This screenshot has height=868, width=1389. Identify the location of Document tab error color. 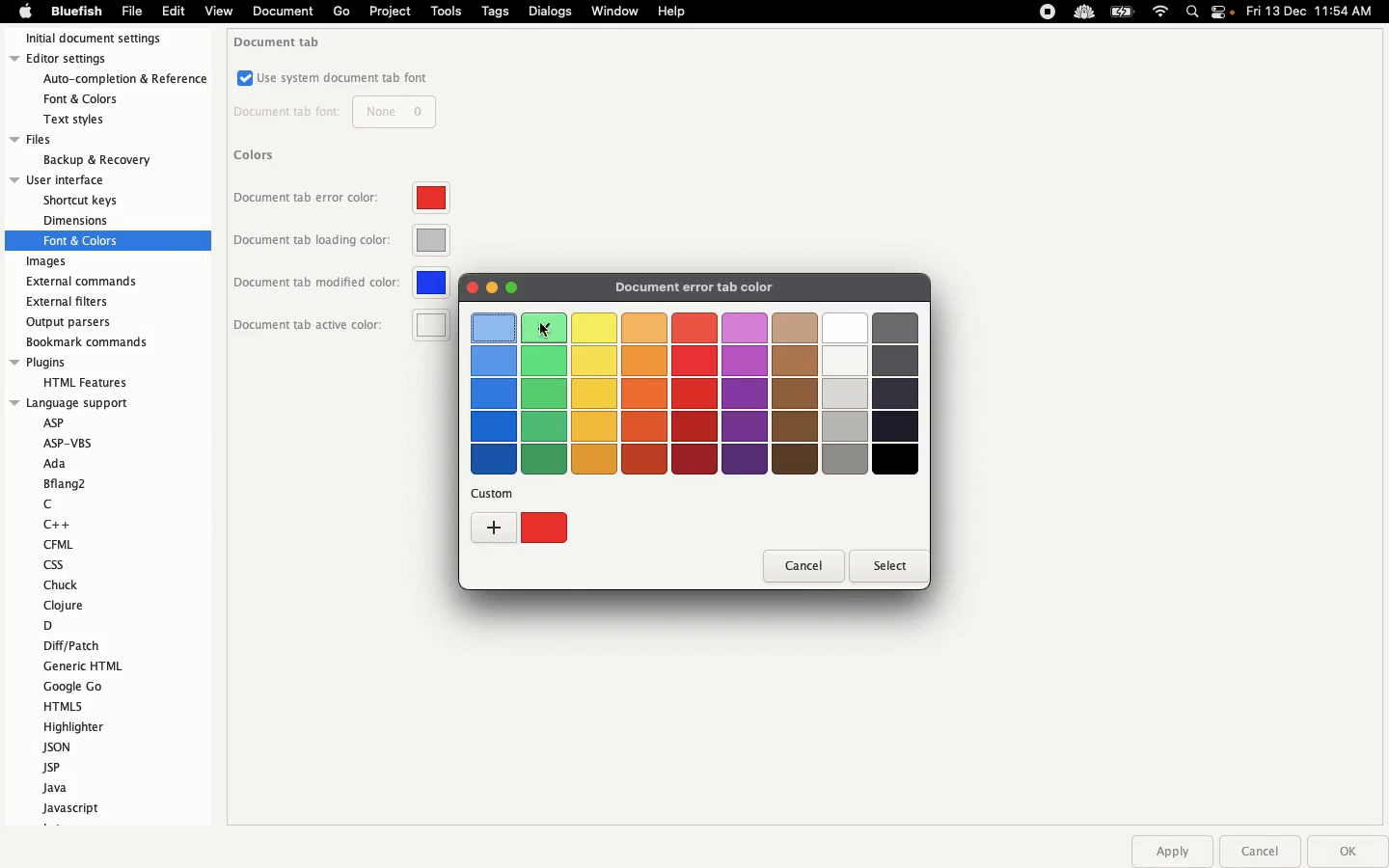
(341, 203).